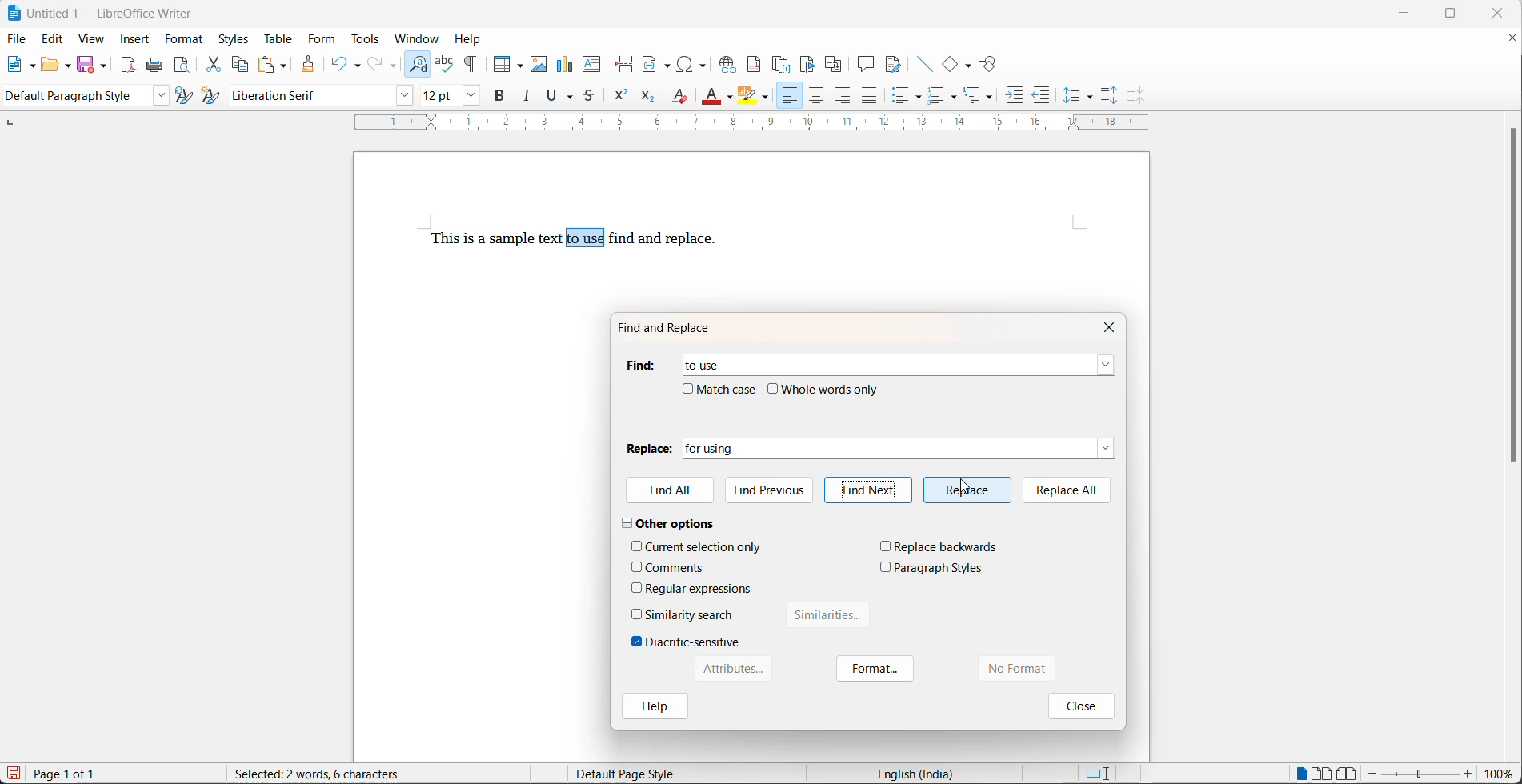 This screenshot has width=1522, height=784. I want to click on help, so click(473, 38).